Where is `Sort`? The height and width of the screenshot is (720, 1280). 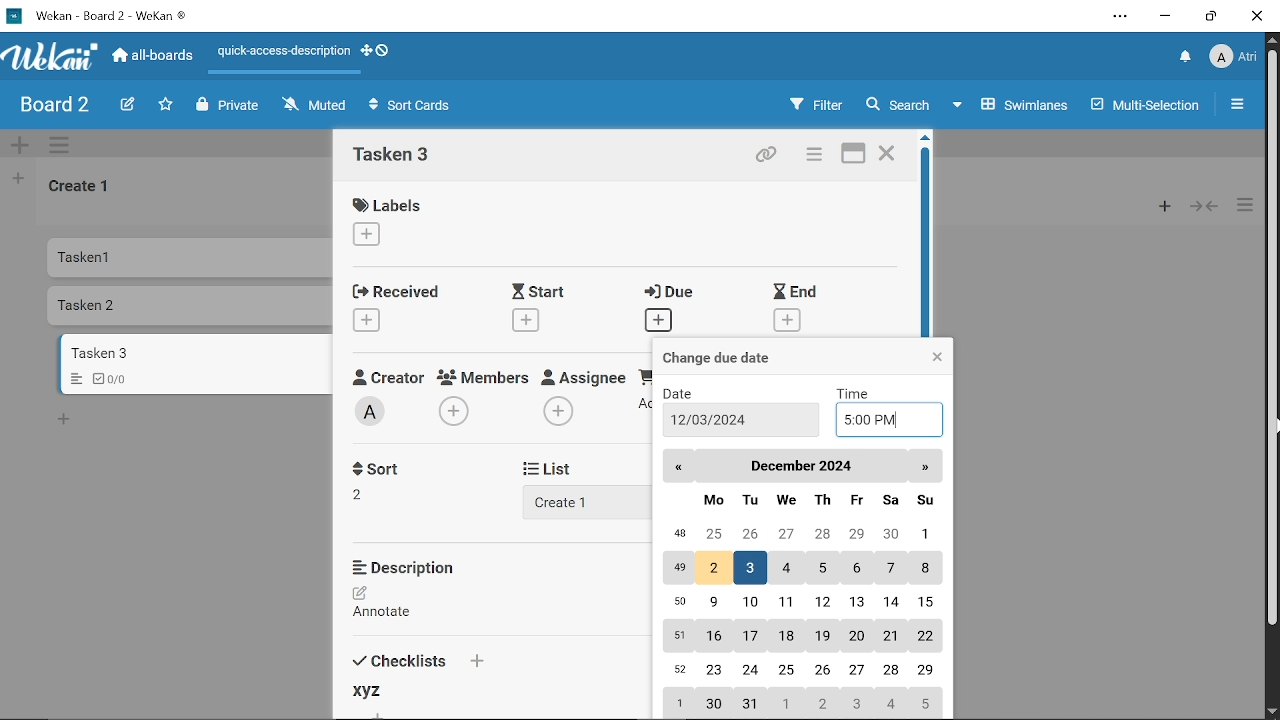 Sort is located at coordinates (382, 467).